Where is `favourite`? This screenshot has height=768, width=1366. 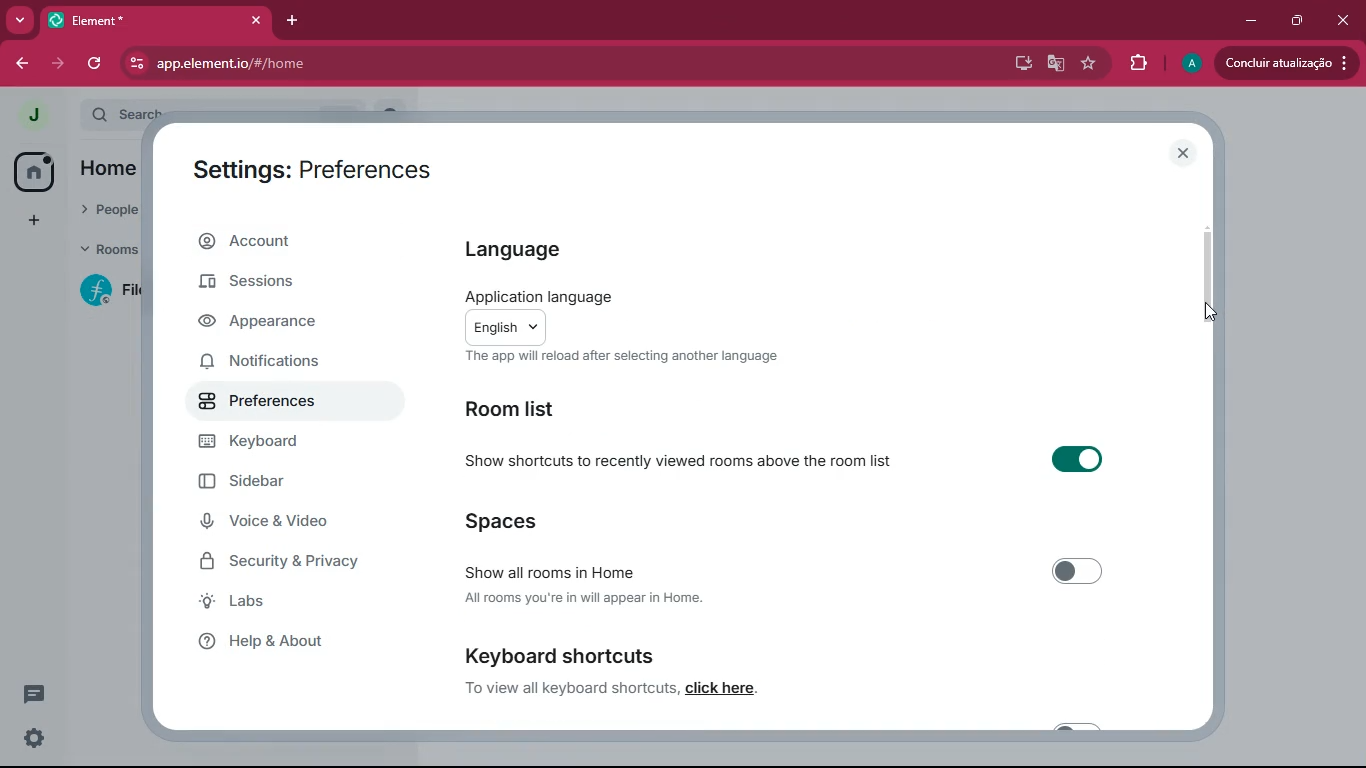 favourite is located at coordinates (1088, 65).